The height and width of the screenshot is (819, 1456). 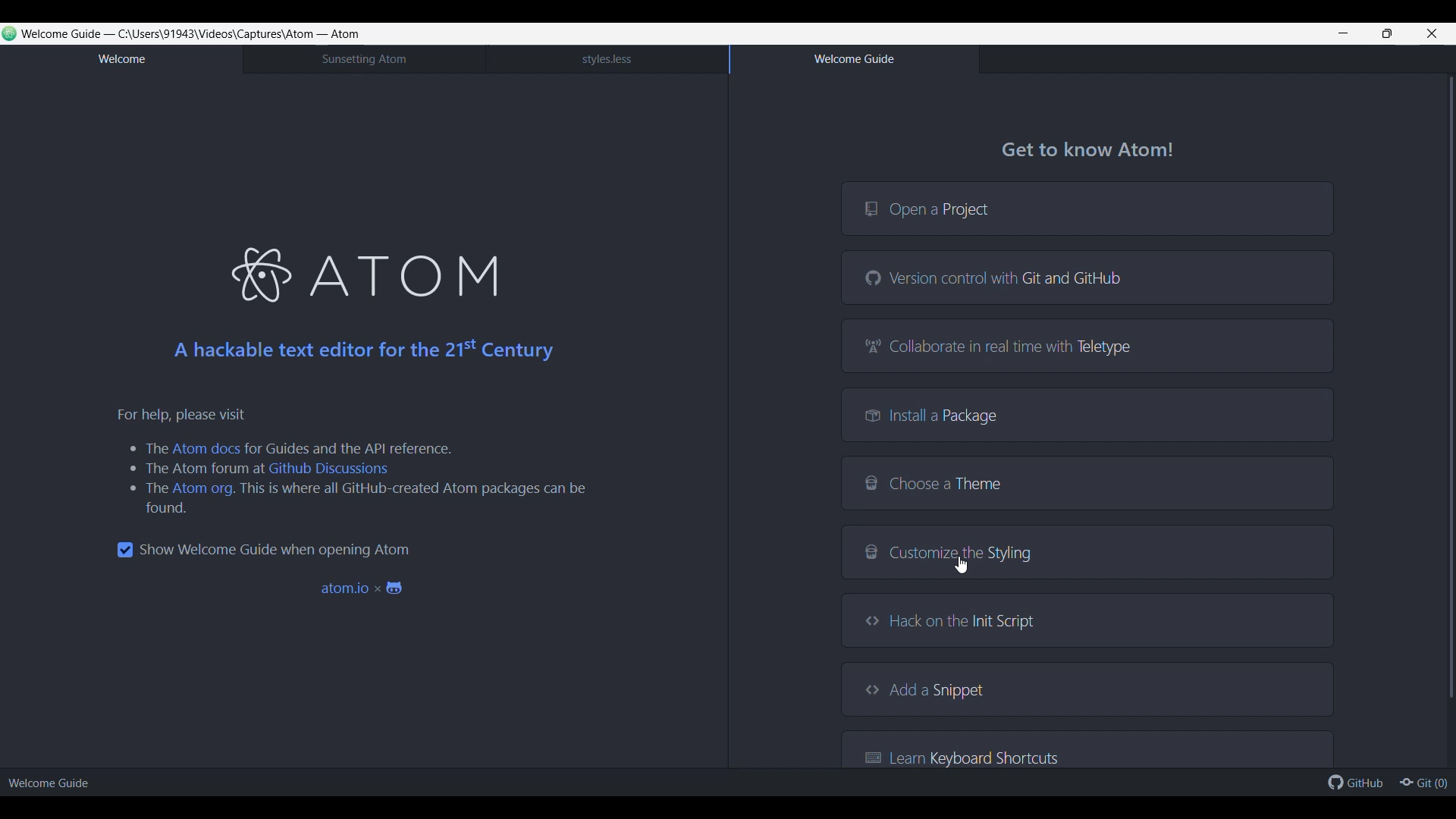 What do you see at coordinates (275, 550) in the screenshot?
I see `Toggle for welcome guide when opening Atom` at bounding box center [275, 550].